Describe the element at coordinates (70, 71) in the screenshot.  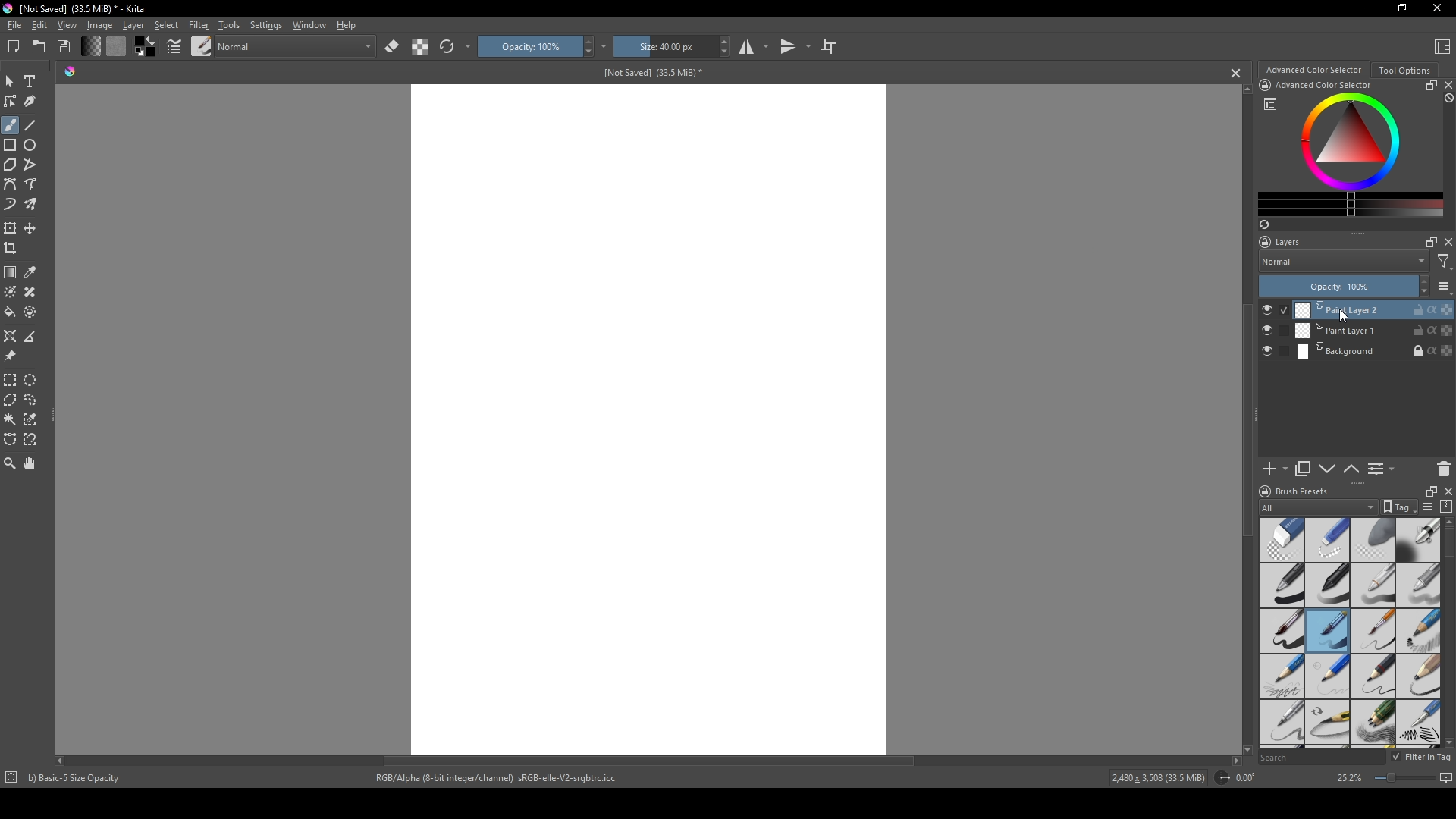
I see `shade` at that location.